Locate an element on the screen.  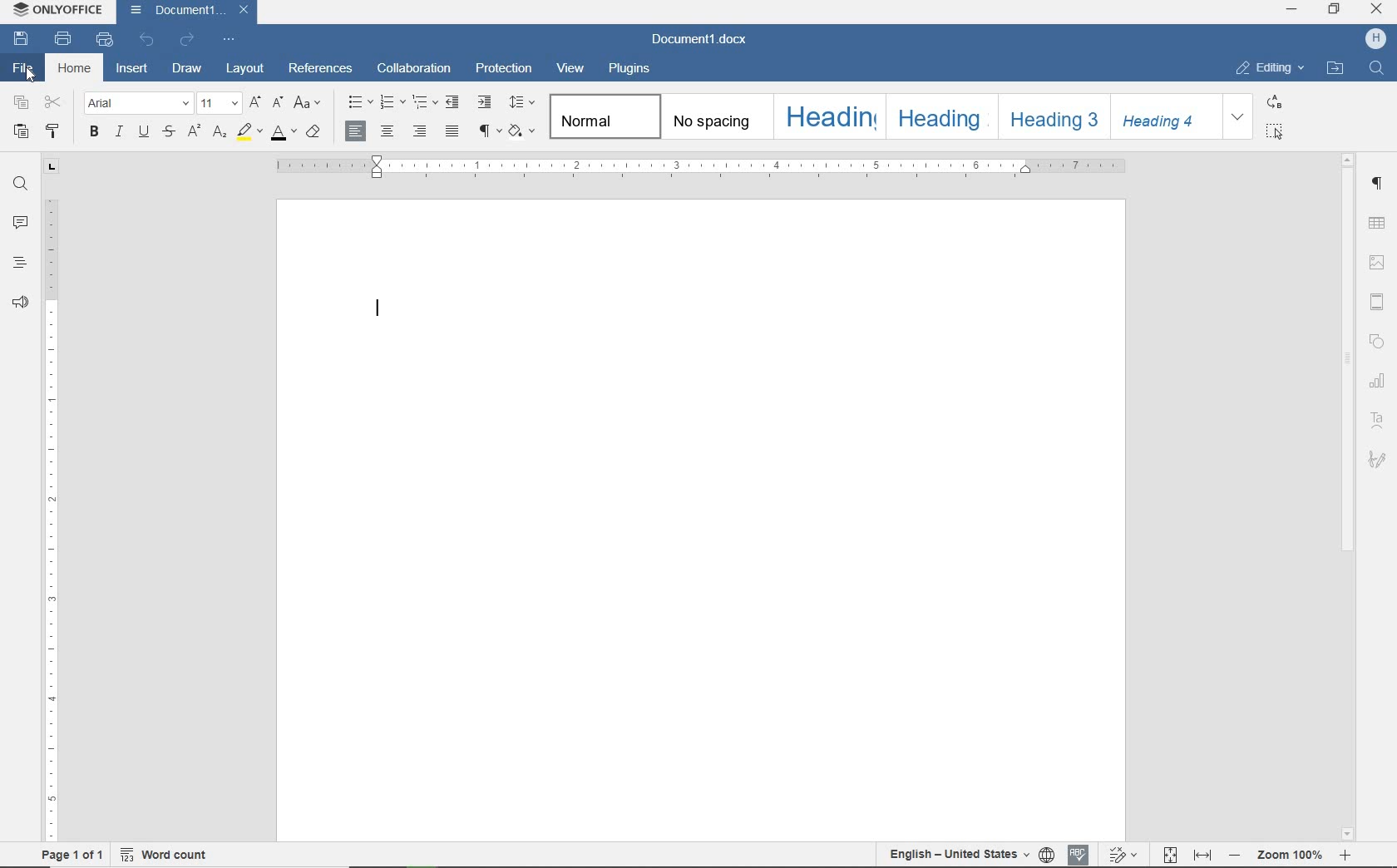
chart is located at coordinates (1378, 381).